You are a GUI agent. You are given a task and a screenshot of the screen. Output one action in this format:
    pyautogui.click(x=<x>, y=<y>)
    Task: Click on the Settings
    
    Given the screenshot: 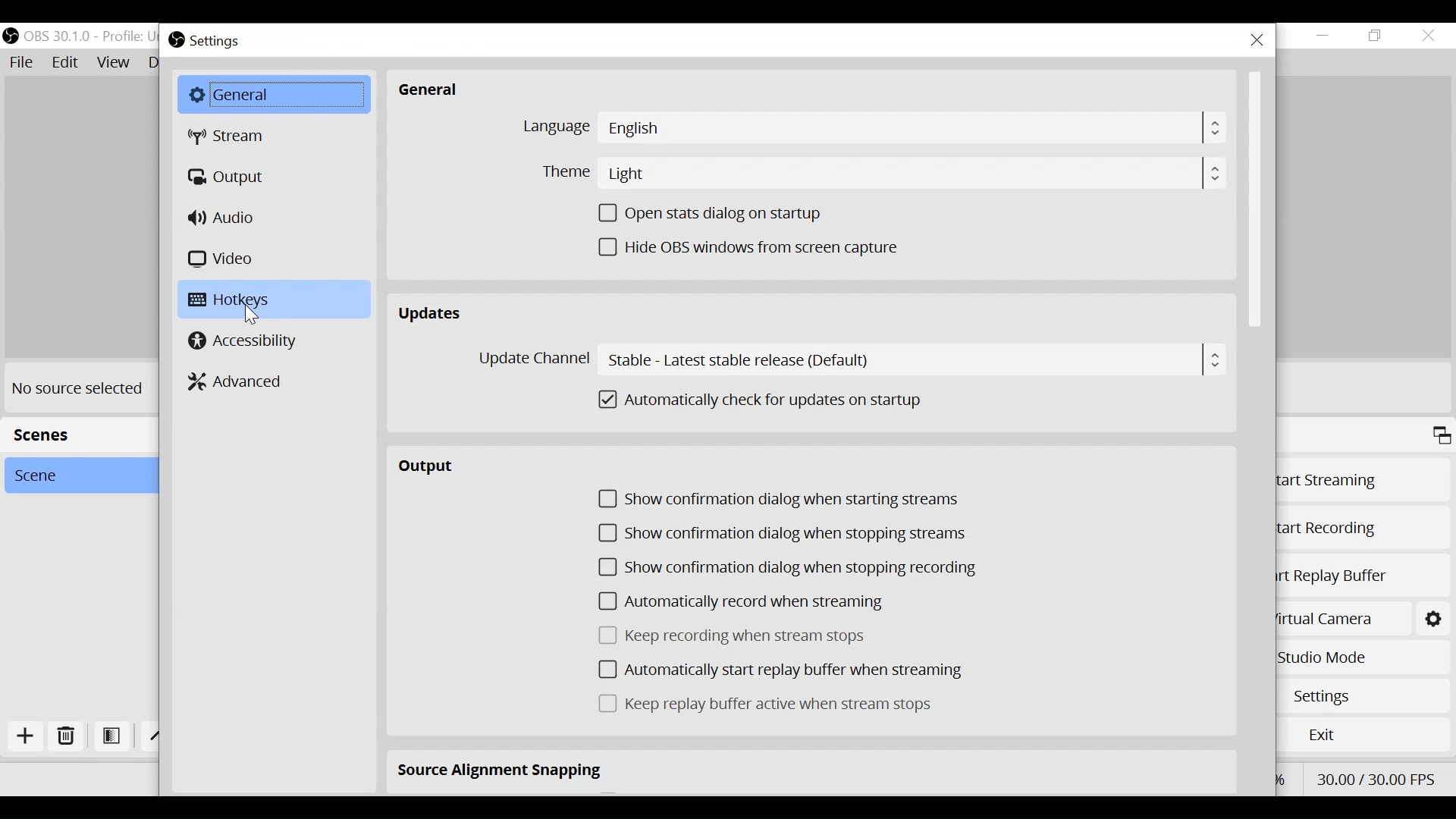 What is the action you would take?
    pyautogui.click(x=1369, y=695)
    